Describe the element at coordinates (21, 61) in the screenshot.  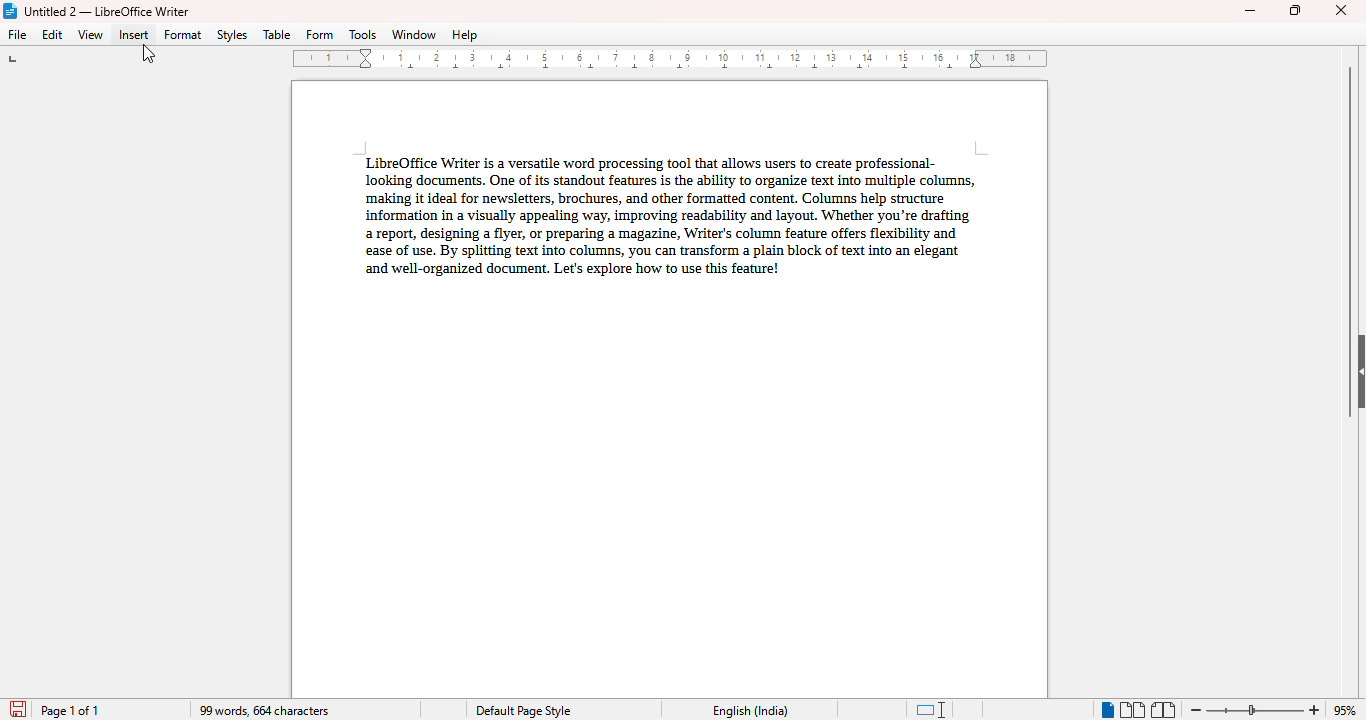
I see `tab stop` at that location.